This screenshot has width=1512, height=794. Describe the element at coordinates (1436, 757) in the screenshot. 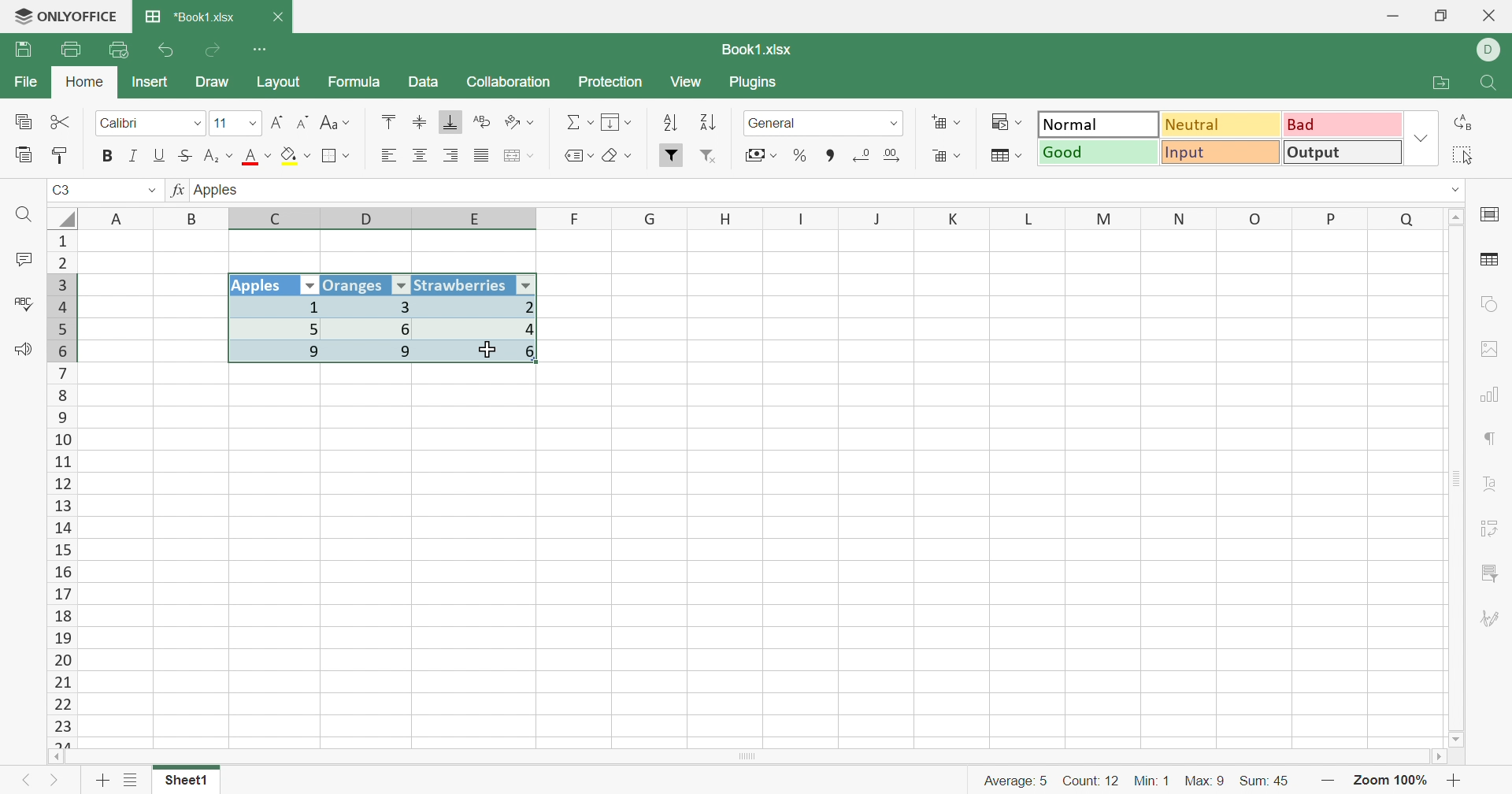

I see `Scroll right` at that location.